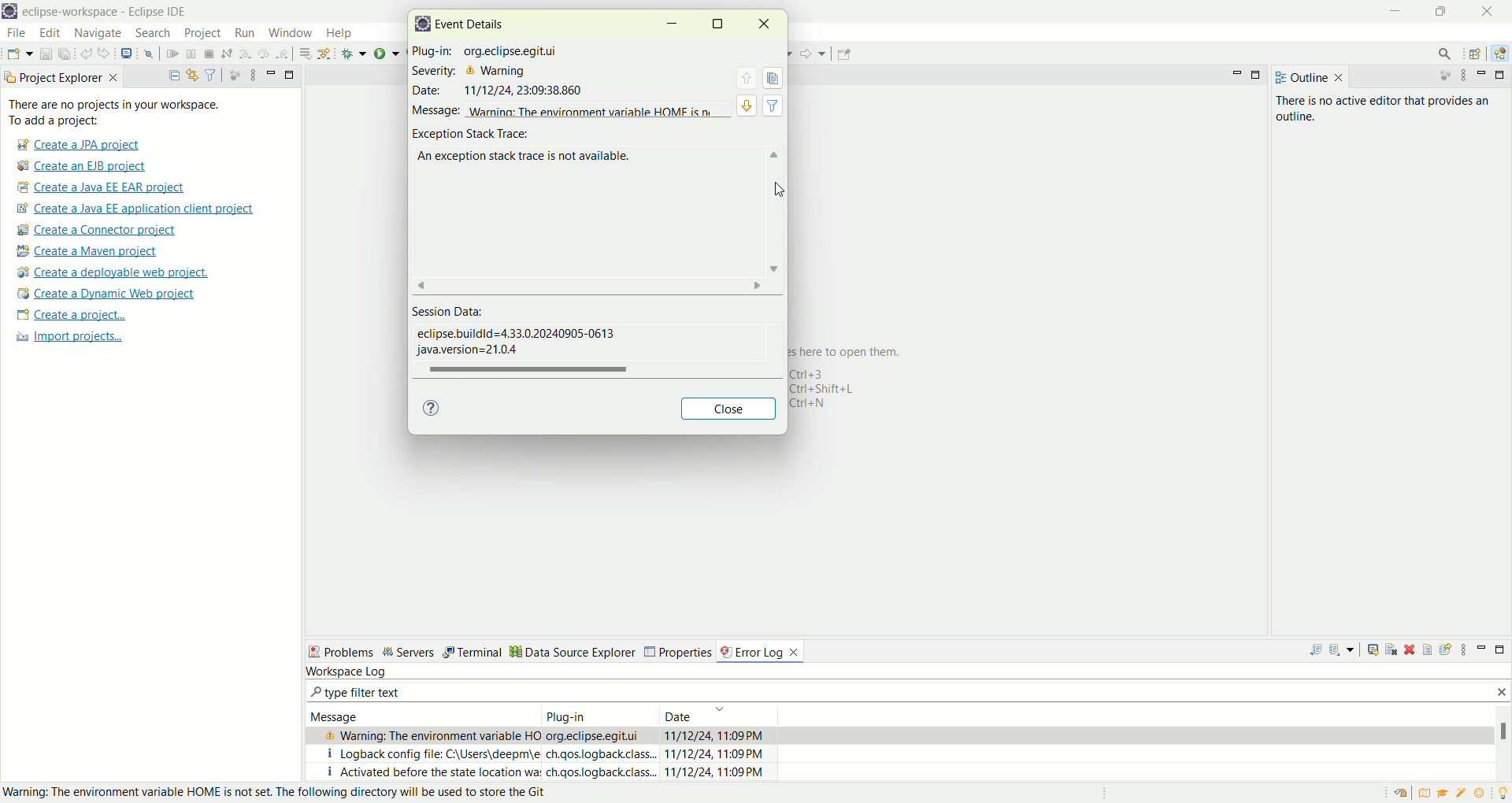  What do you see at coordinates (1311, 653) in the screenshot?
I see `export log` at bounding box center [1311, 653].